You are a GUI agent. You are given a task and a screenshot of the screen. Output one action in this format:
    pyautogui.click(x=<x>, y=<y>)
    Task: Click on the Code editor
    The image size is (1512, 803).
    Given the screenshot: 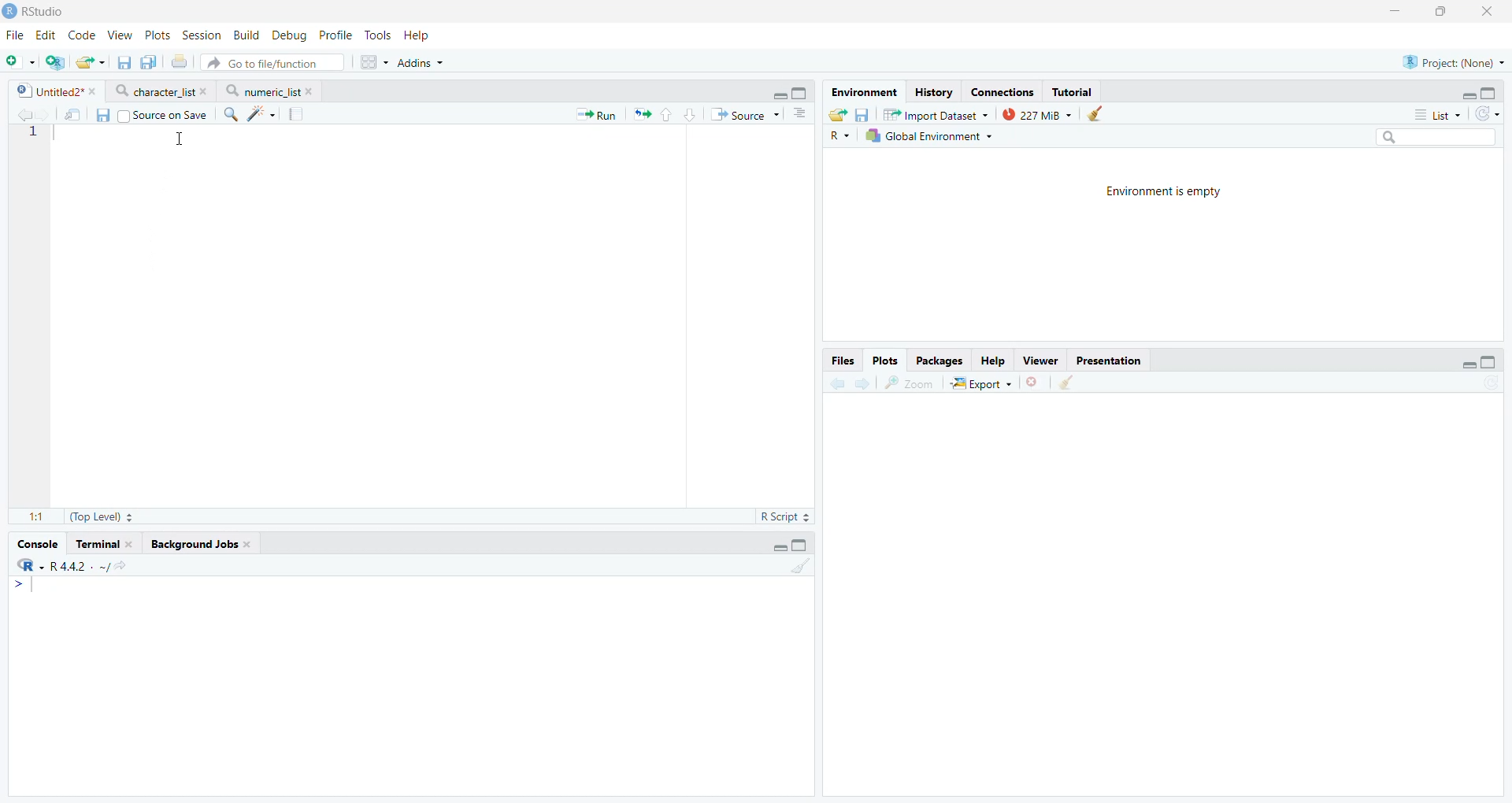 What is the action you would take?
    pyautogui.click(x=367, y=314)
    